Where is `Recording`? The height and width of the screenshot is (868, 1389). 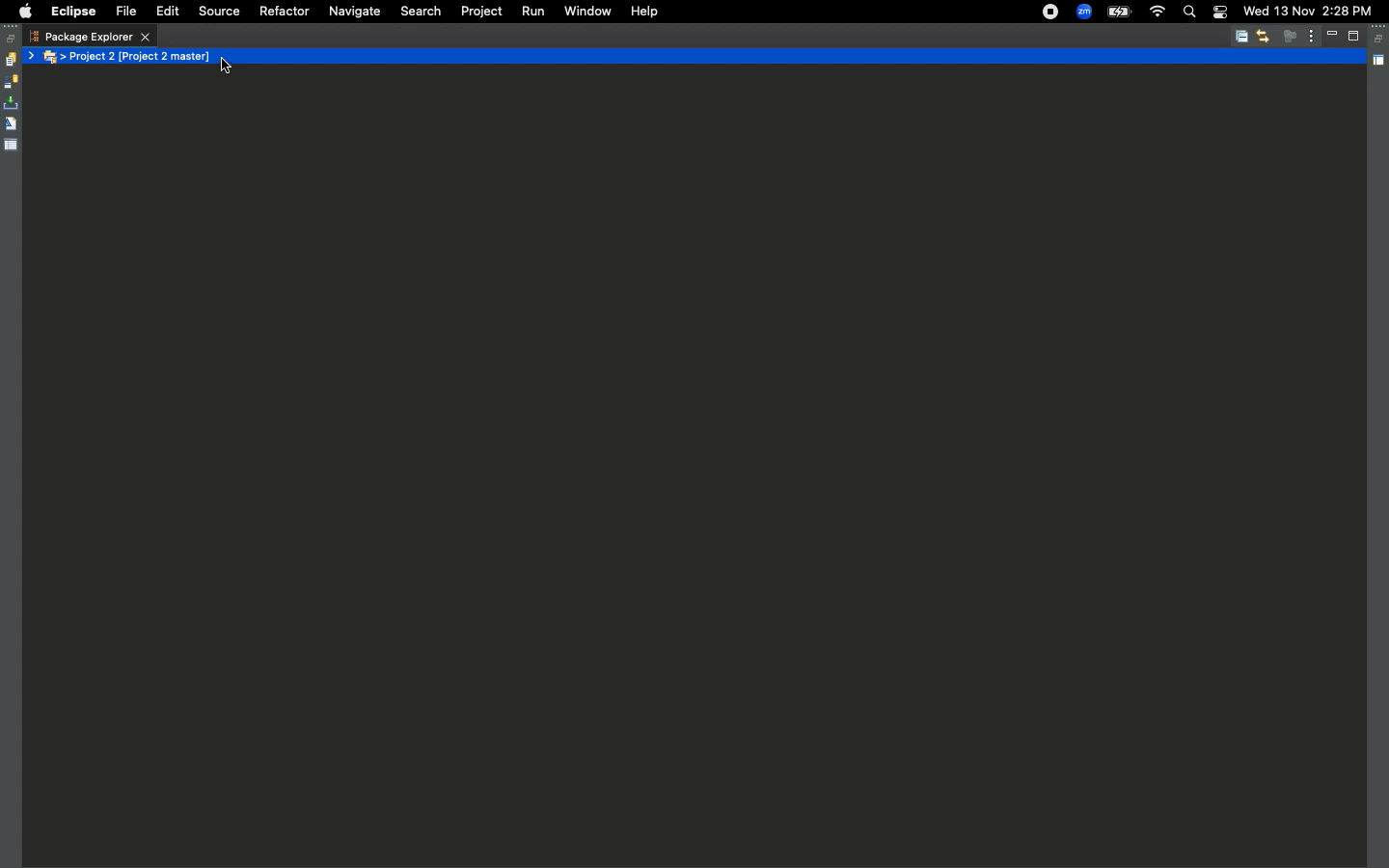 Recording is located at coordinates (1051, 12).